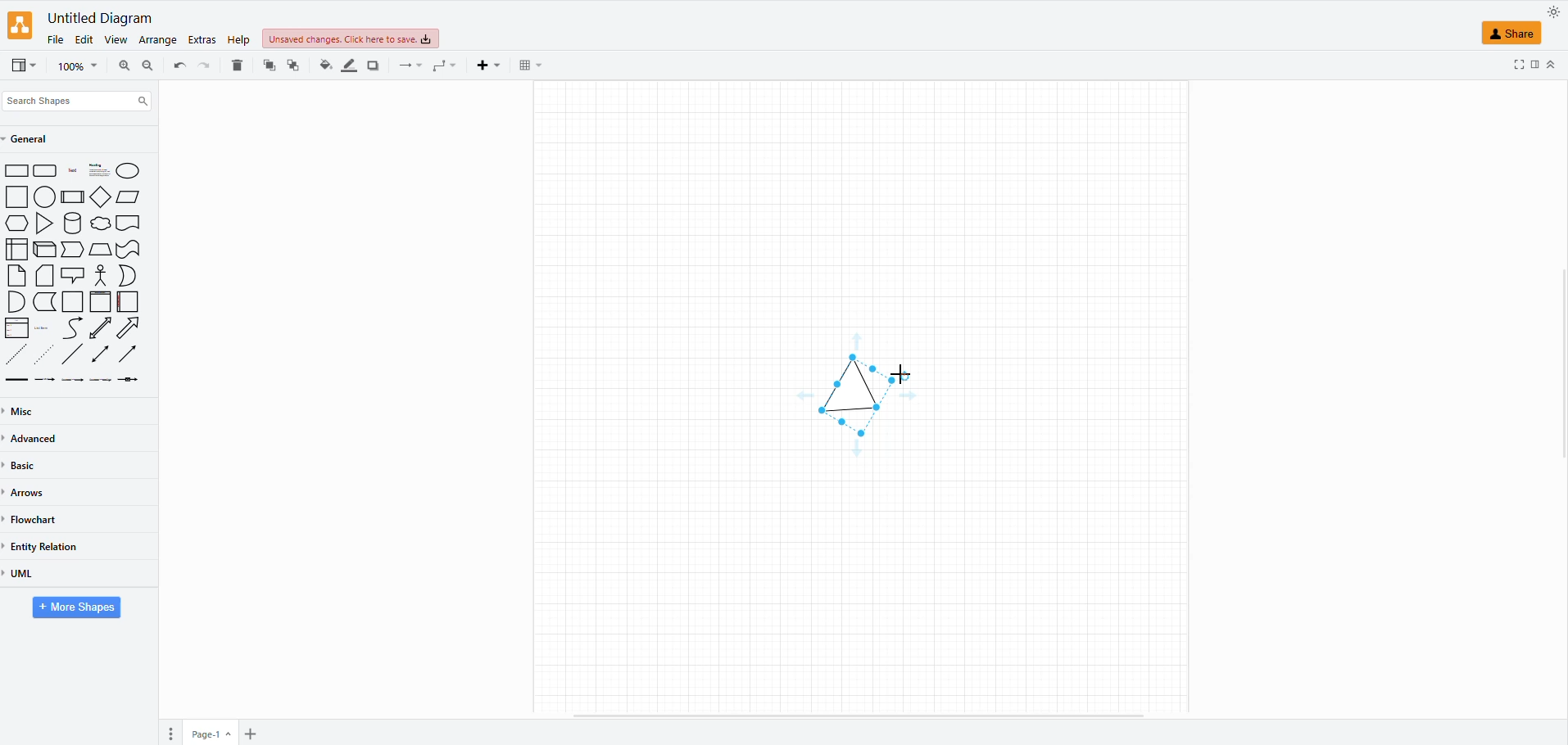  I want to click on uml, so click(25, 574).